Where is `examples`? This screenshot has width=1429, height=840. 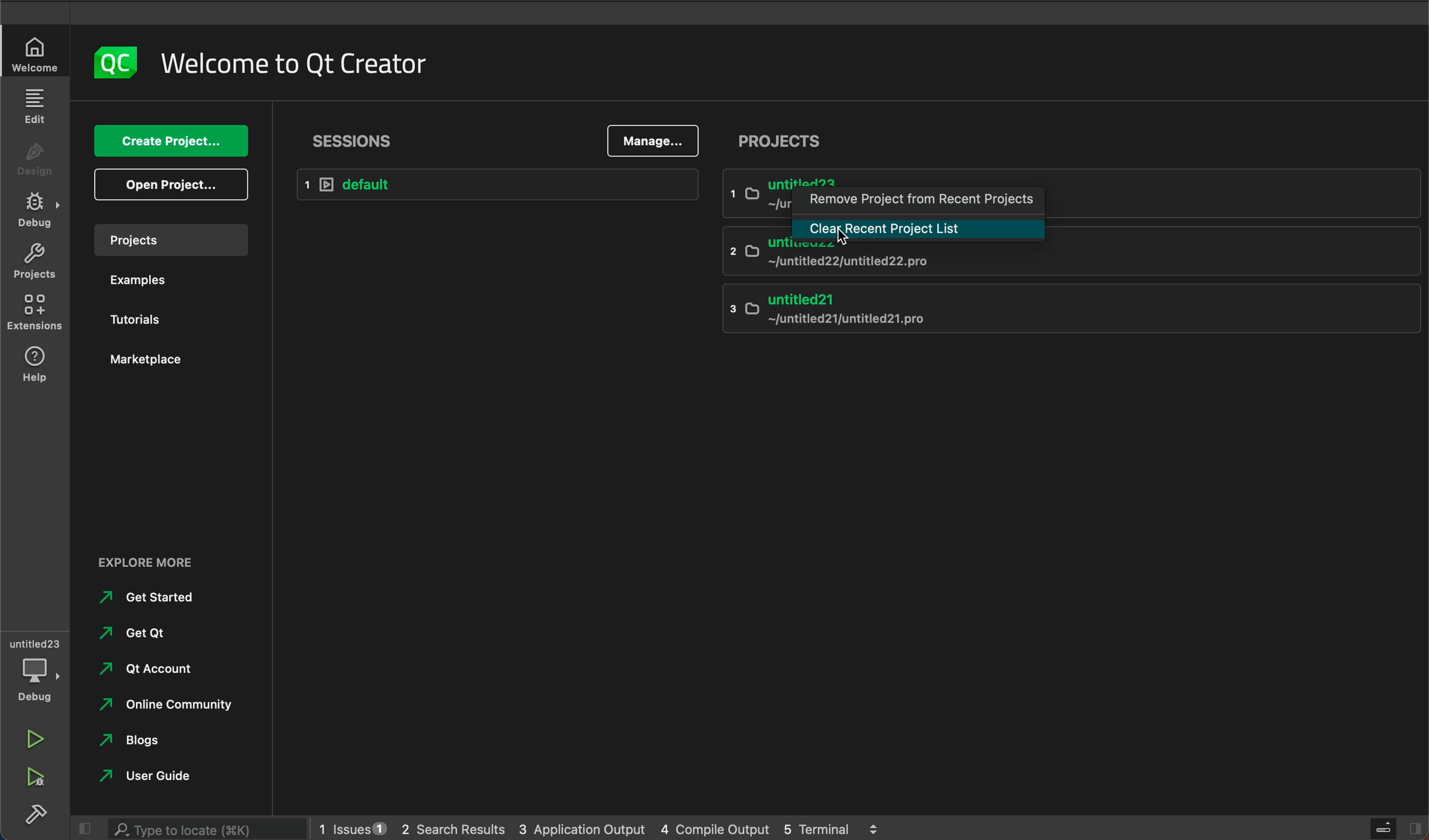 examples is located at coordinates (149, 282).